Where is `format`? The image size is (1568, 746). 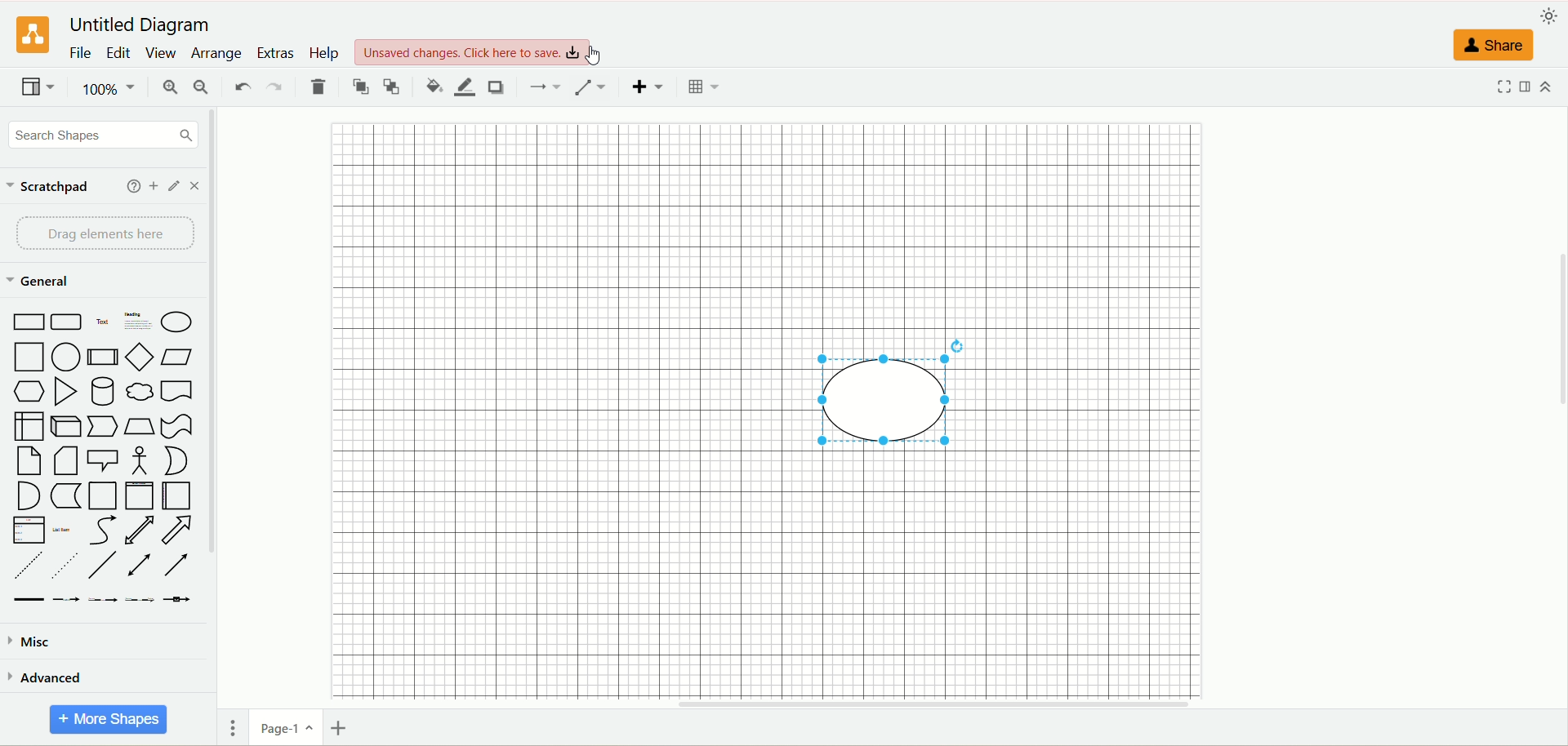 format is located at coordinates (1530, 90).